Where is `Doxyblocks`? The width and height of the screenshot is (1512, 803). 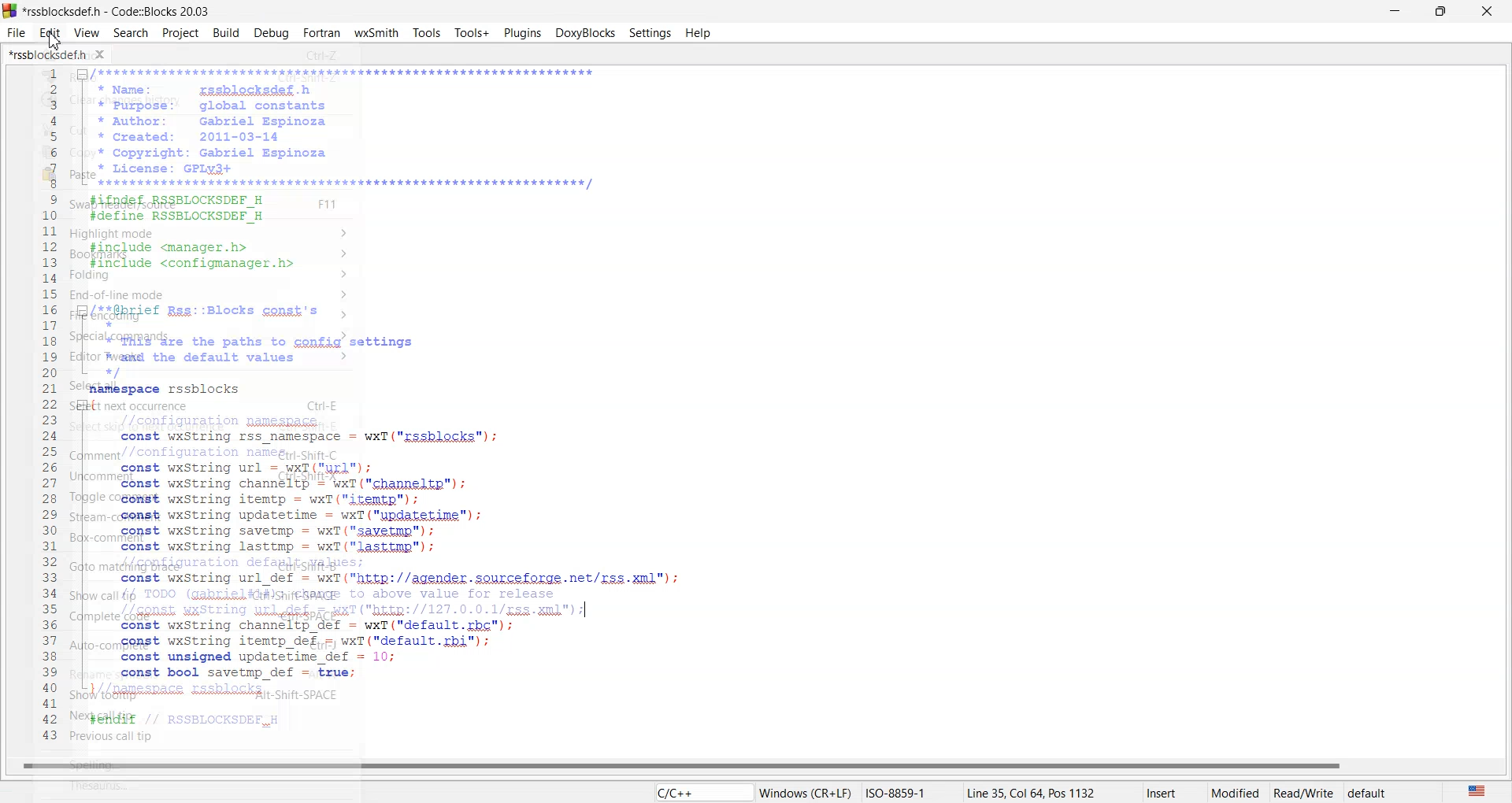
Doxyblocks is located at coordinates (585, 32).